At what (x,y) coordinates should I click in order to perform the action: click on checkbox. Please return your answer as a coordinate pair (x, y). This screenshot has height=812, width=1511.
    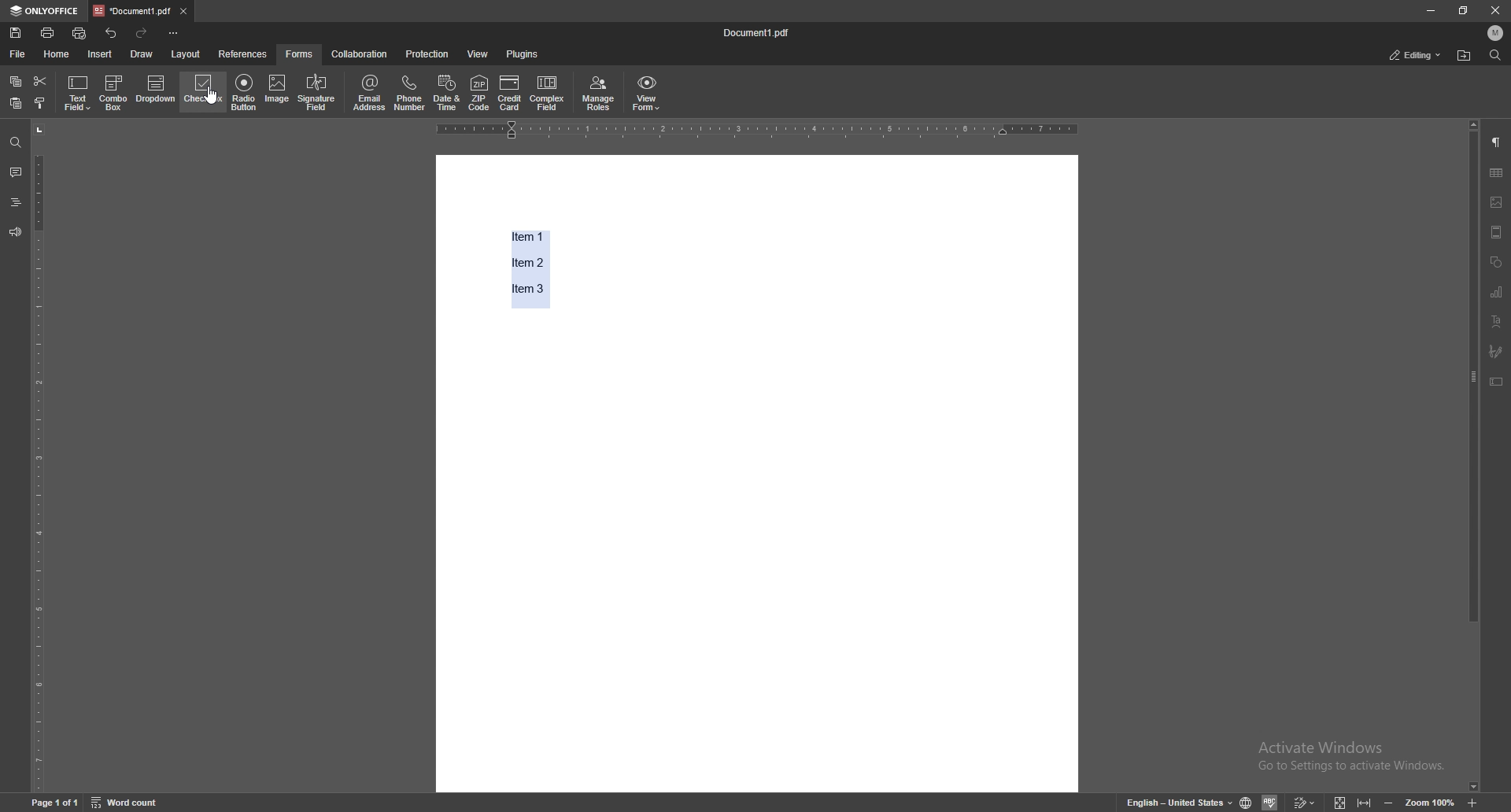
    Looking at the image, I should click on (203, 90).